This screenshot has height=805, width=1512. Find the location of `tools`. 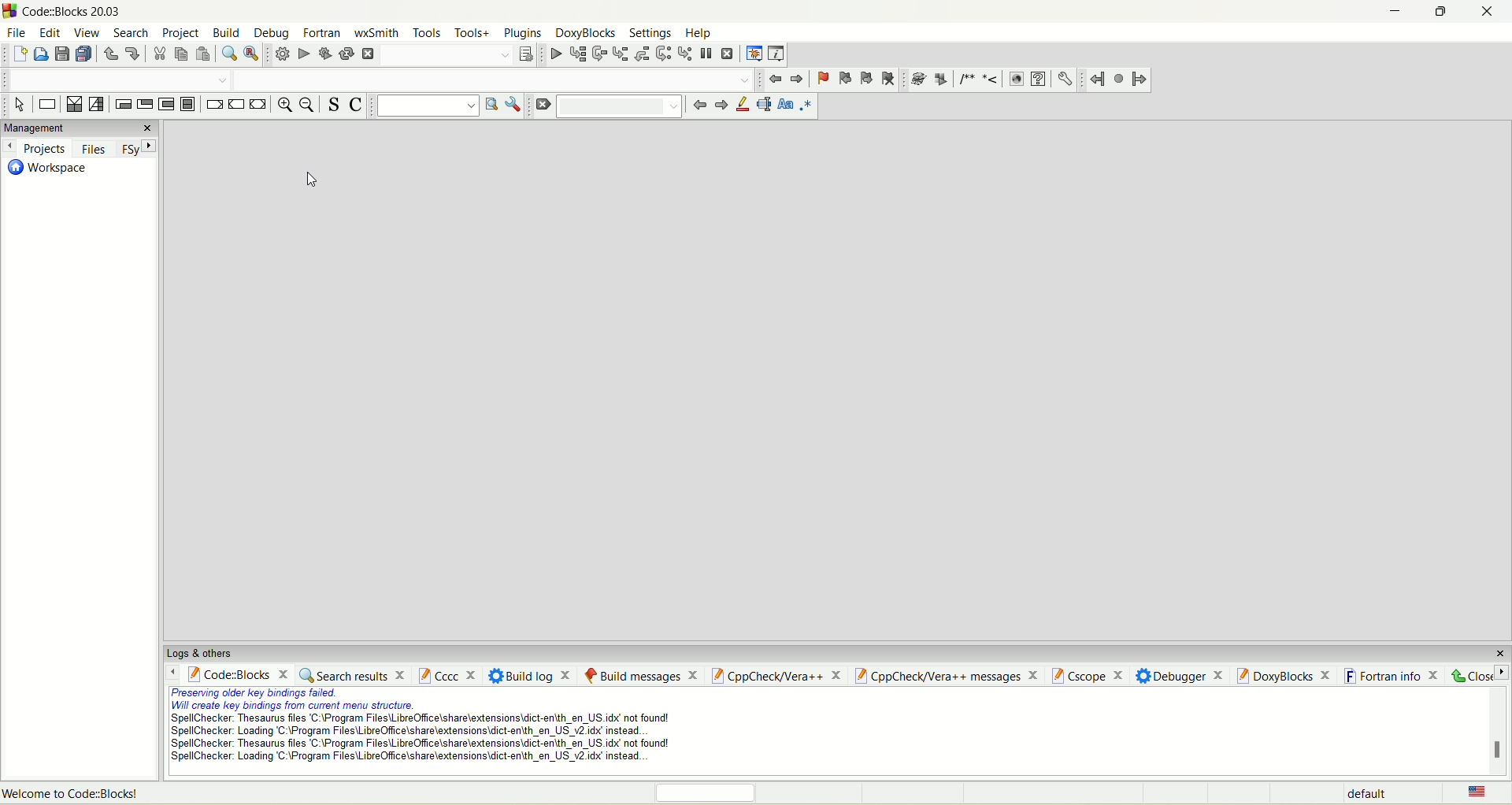

tools is located at coordinates (426, 33).